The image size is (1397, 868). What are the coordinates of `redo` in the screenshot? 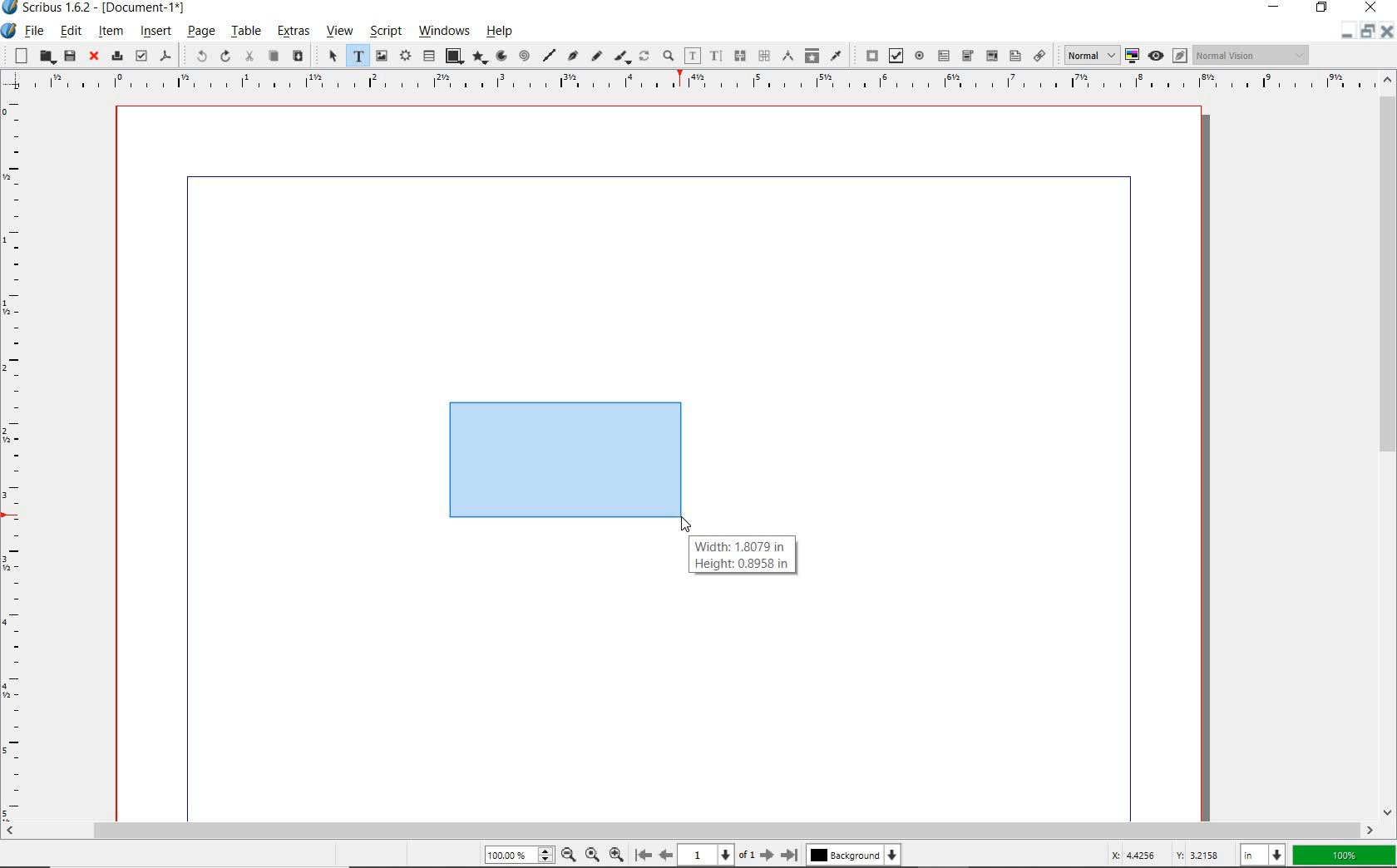 It's located at (225, 56).